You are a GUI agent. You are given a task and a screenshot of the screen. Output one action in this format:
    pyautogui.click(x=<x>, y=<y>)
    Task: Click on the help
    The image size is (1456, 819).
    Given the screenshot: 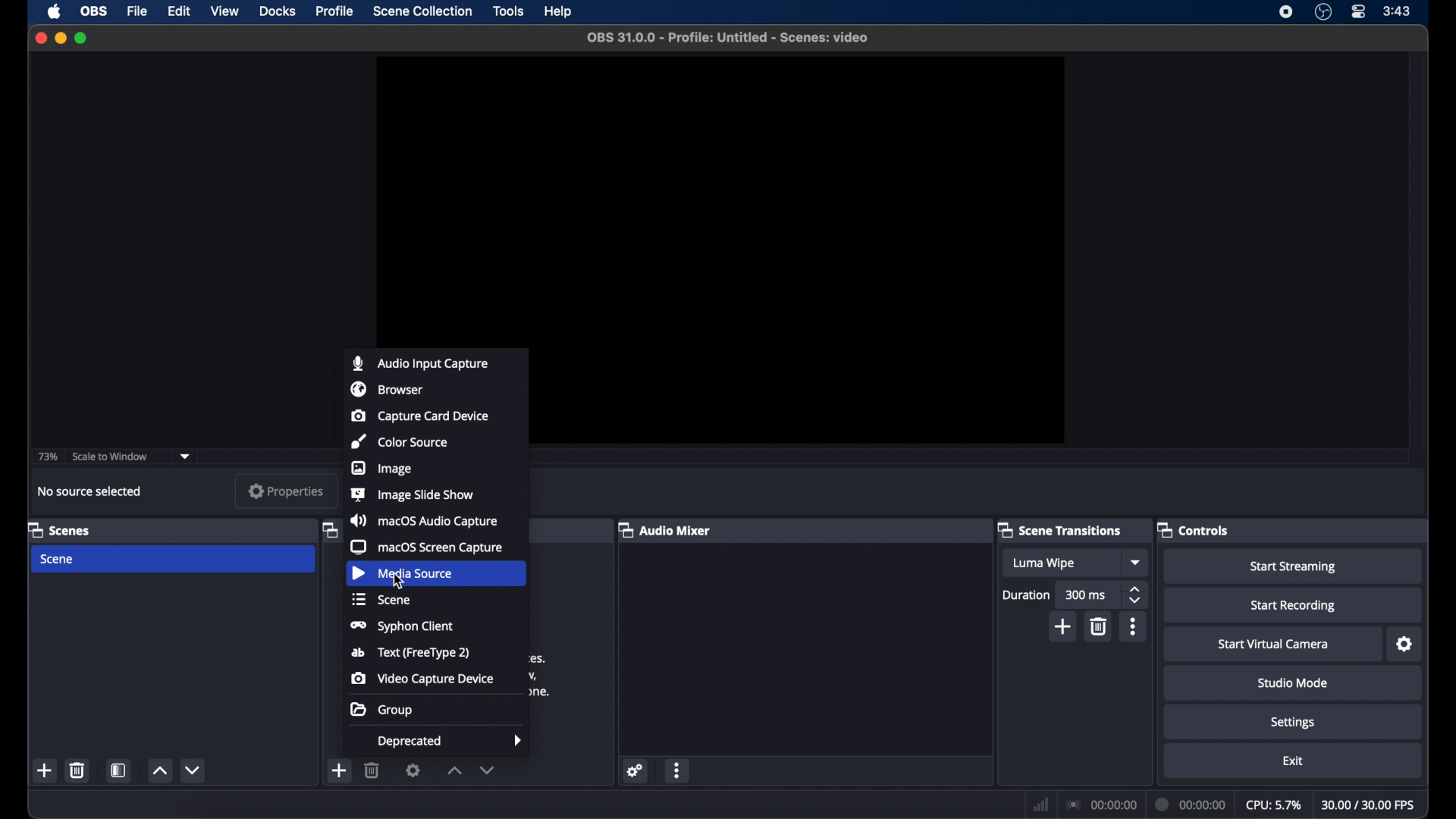 What is the action you would take?
    pyautogui.click(x=560, y=12)
    